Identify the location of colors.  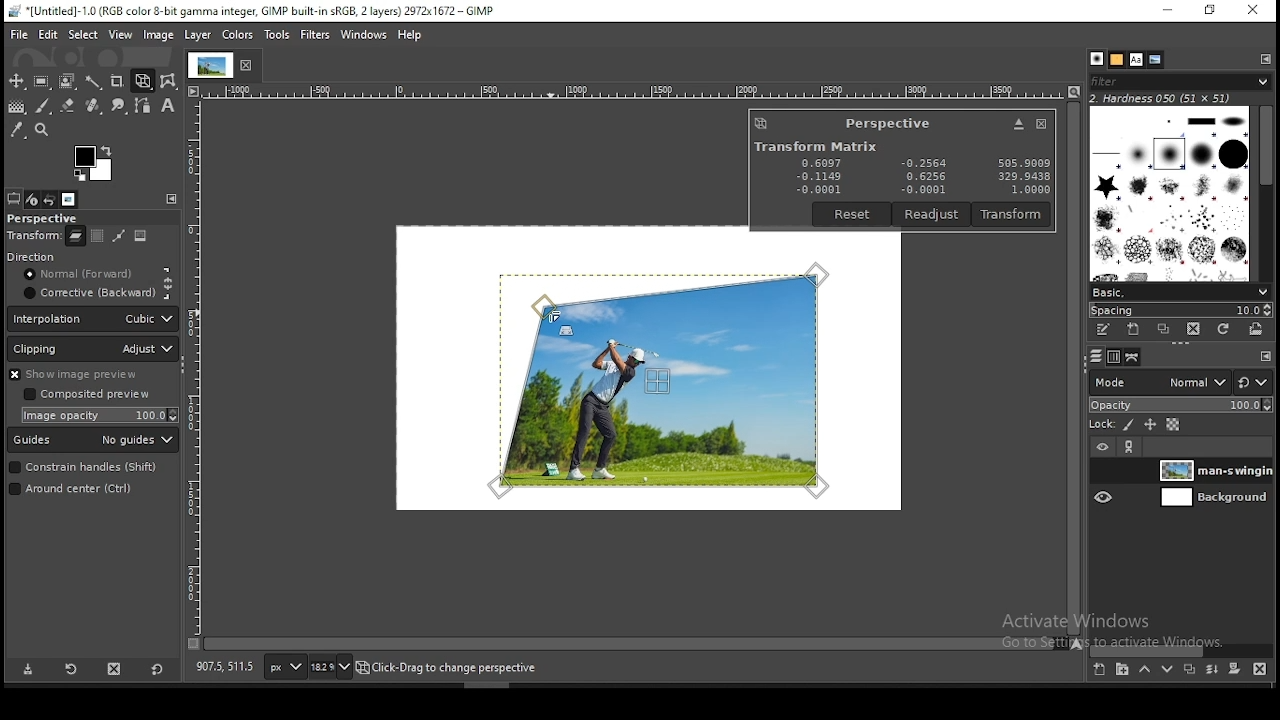
(94, 163).